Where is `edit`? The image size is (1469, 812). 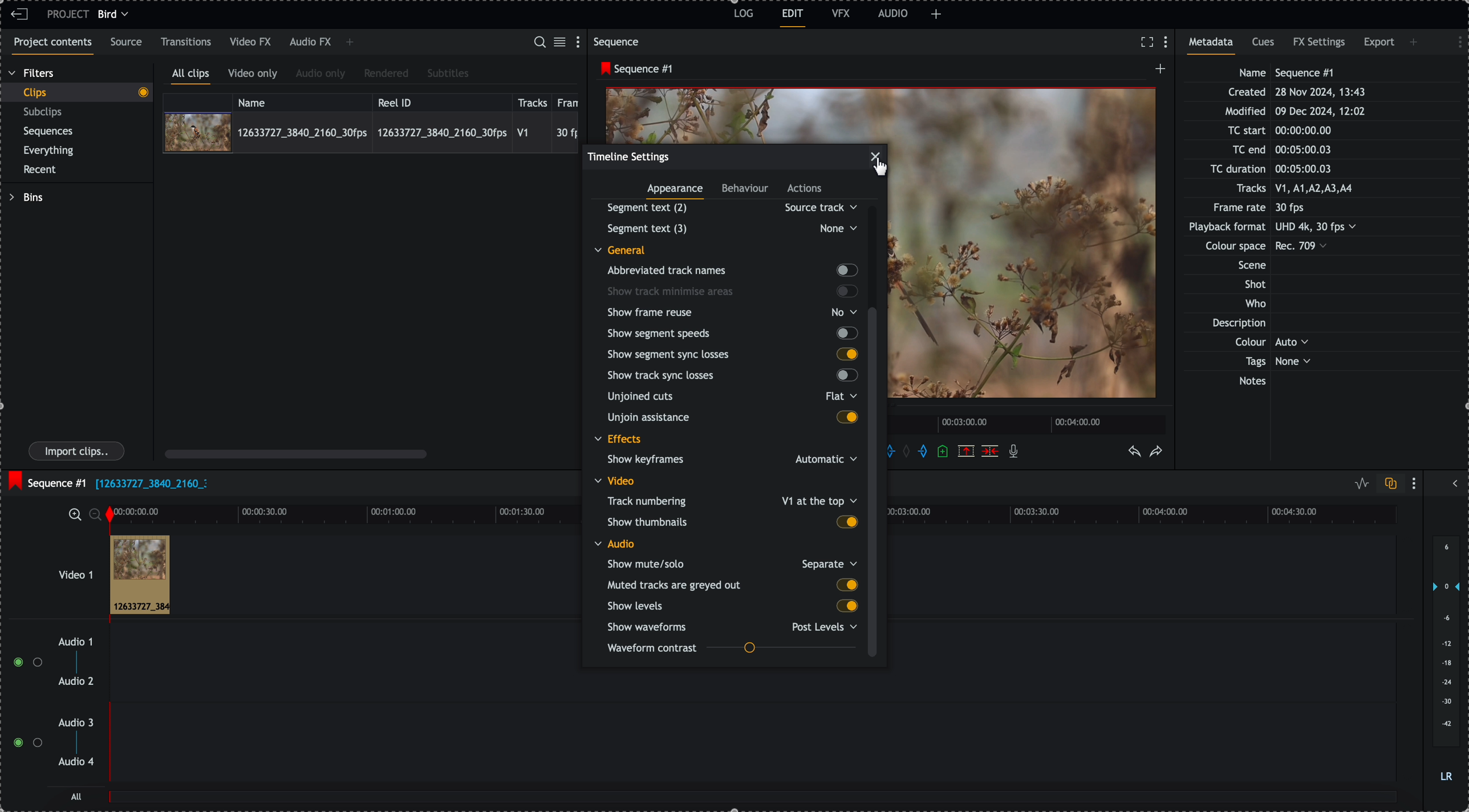 edit is located at coordinates (793, 18).